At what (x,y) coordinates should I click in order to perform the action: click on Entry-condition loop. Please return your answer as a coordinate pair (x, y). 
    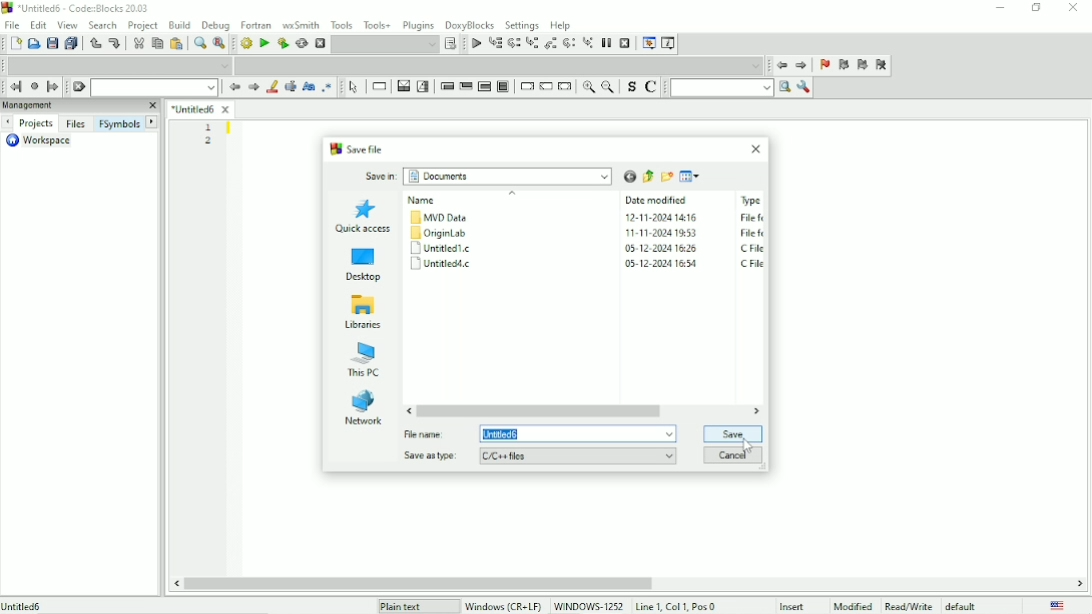
    Looking at the image, I should click on (445, 86).